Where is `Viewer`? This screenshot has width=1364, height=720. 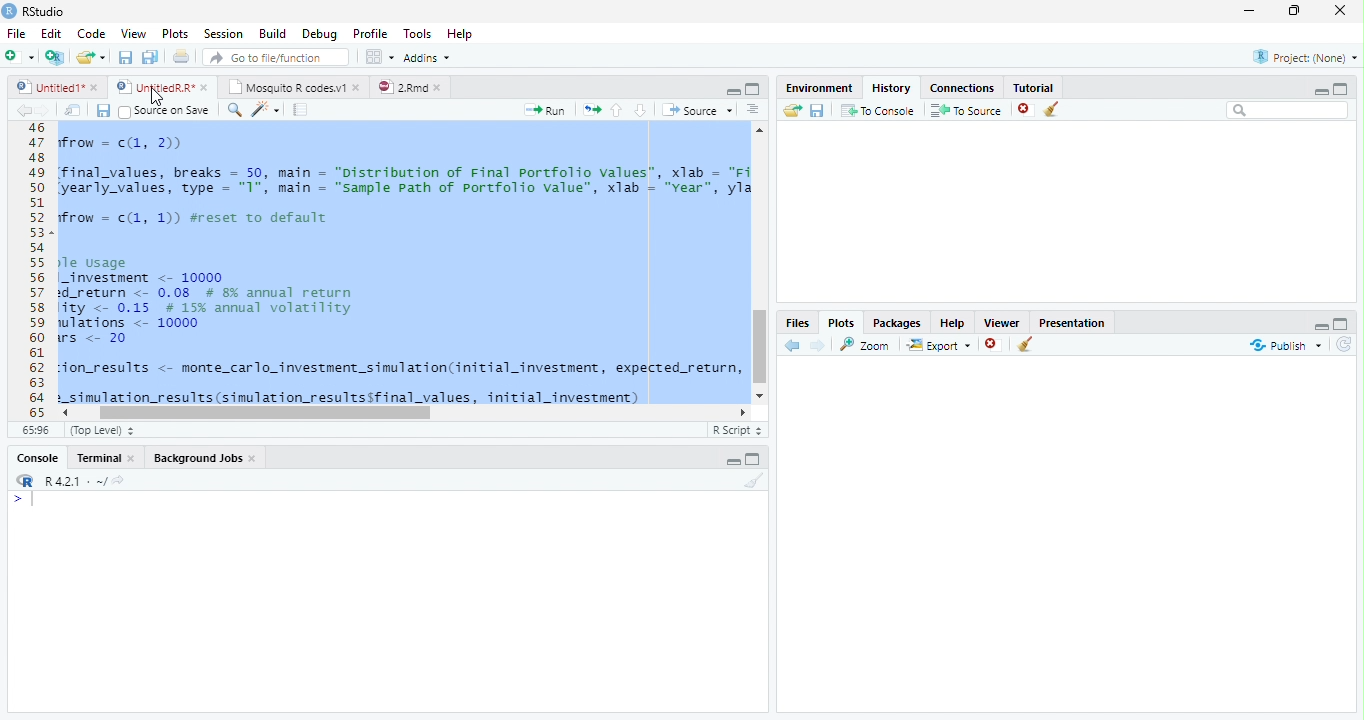
Viewer is located at coordinates (1003, 320).